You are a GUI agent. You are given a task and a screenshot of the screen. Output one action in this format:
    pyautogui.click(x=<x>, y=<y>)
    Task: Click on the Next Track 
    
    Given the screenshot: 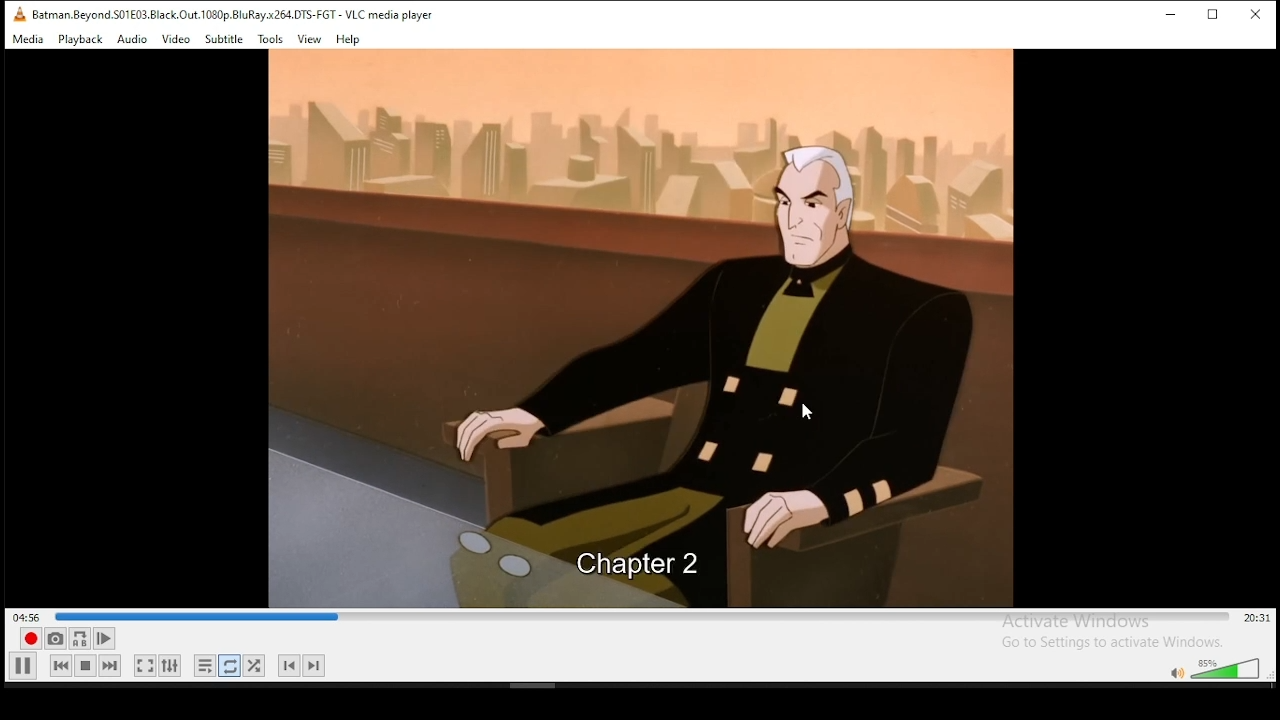 What is the action you would take?
    pyautogui.click(x=317, y=665)
    